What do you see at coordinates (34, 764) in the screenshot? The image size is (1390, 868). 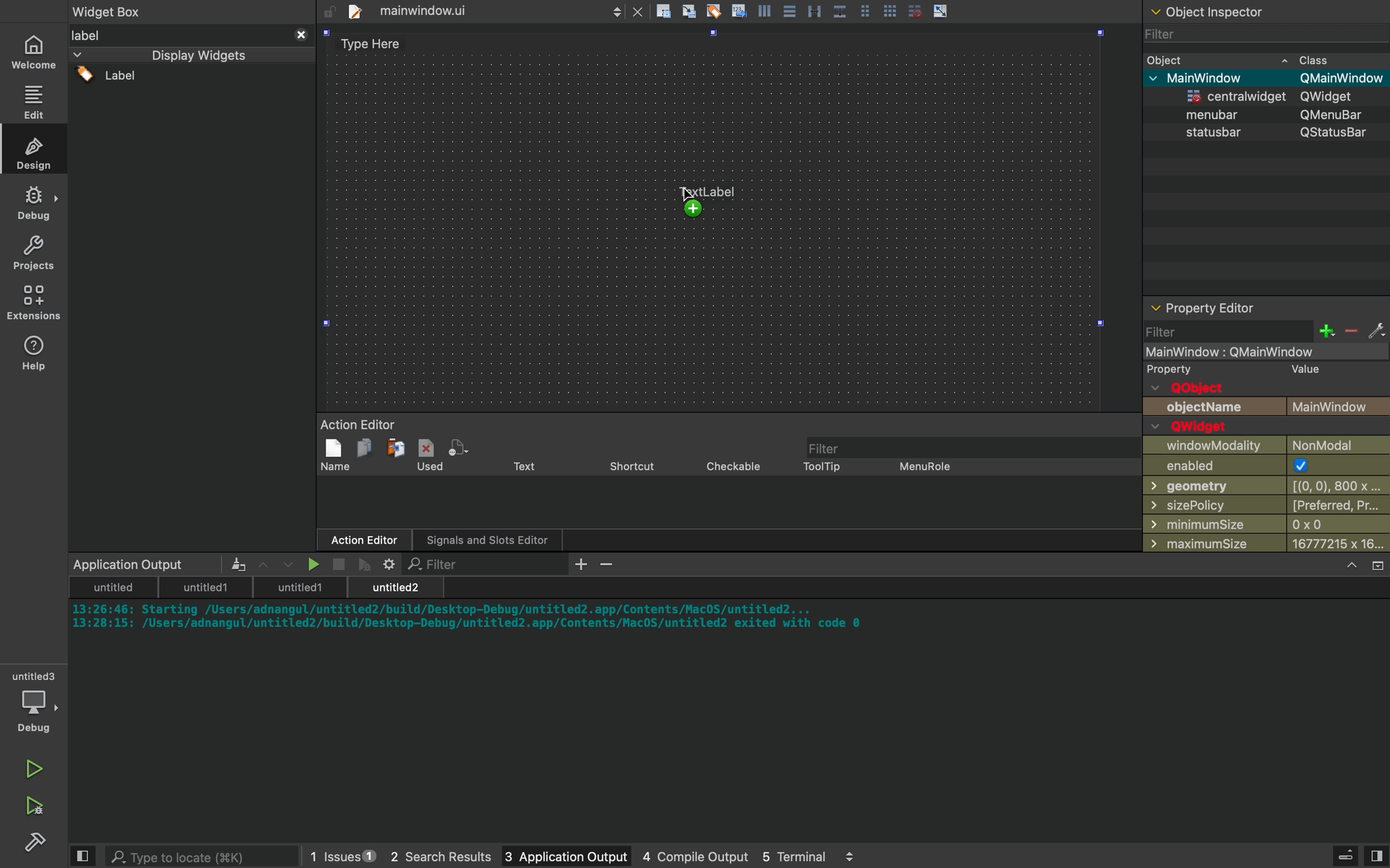 I see `run` at bounding box center [34, 764].